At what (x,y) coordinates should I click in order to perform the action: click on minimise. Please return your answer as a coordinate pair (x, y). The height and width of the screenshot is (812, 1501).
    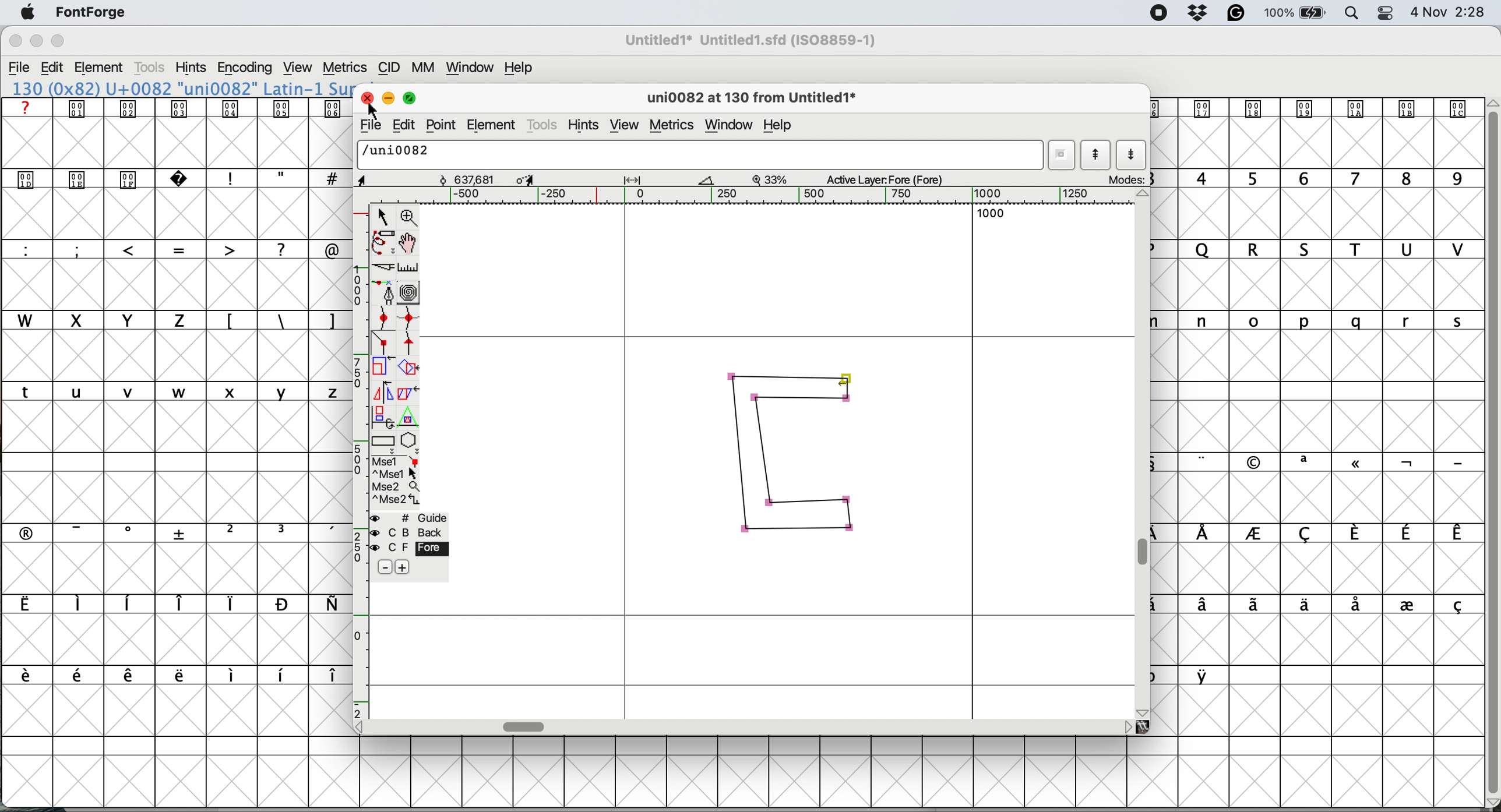
    Looking at the image, I should click on (386, 97).